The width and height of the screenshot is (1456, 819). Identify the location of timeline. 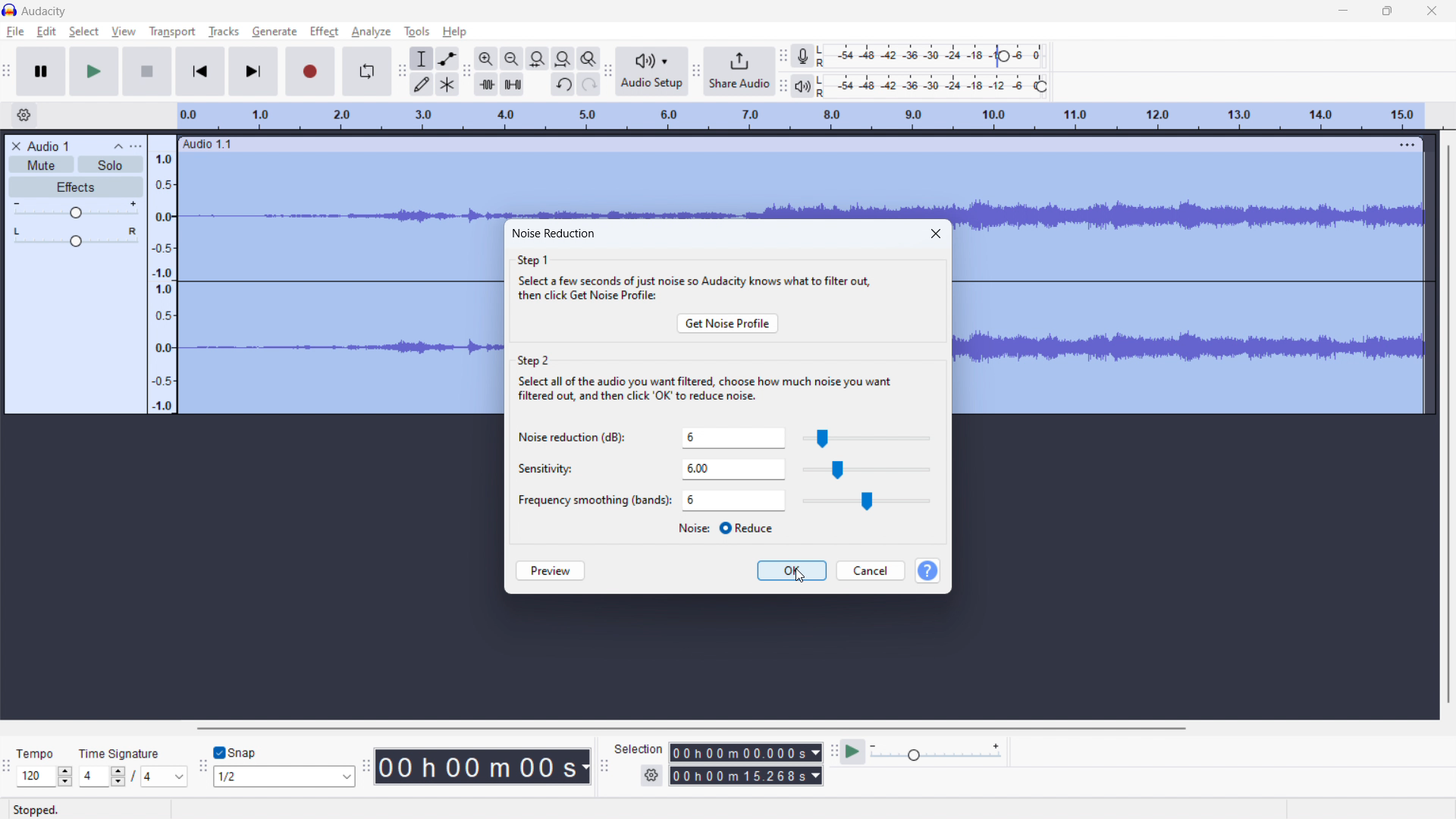
(801, 117).